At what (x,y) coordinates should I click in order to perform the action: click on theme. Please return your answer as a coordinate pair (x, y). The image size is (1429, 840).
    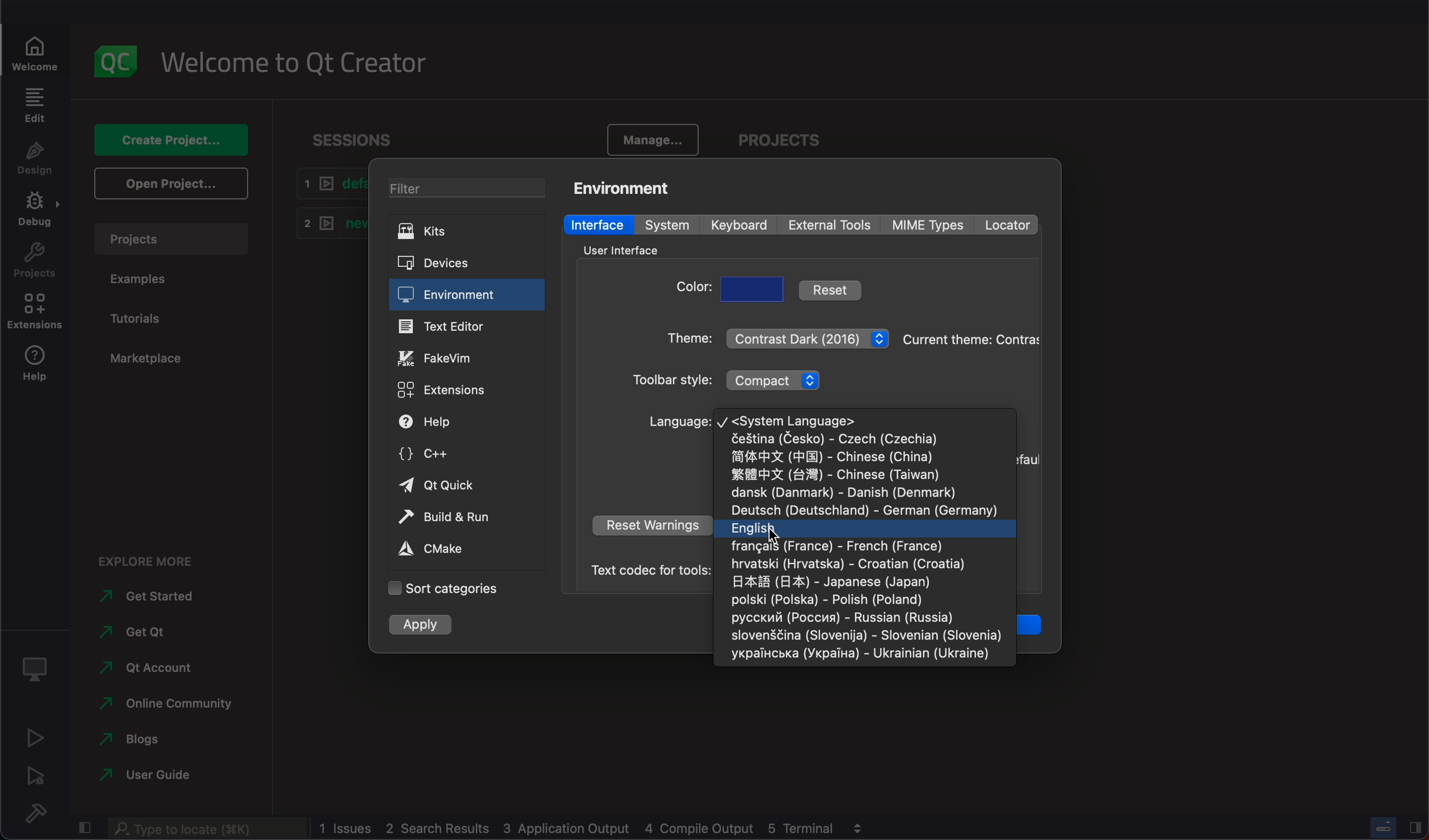
    Looking at the image, I should click on (971, 339).